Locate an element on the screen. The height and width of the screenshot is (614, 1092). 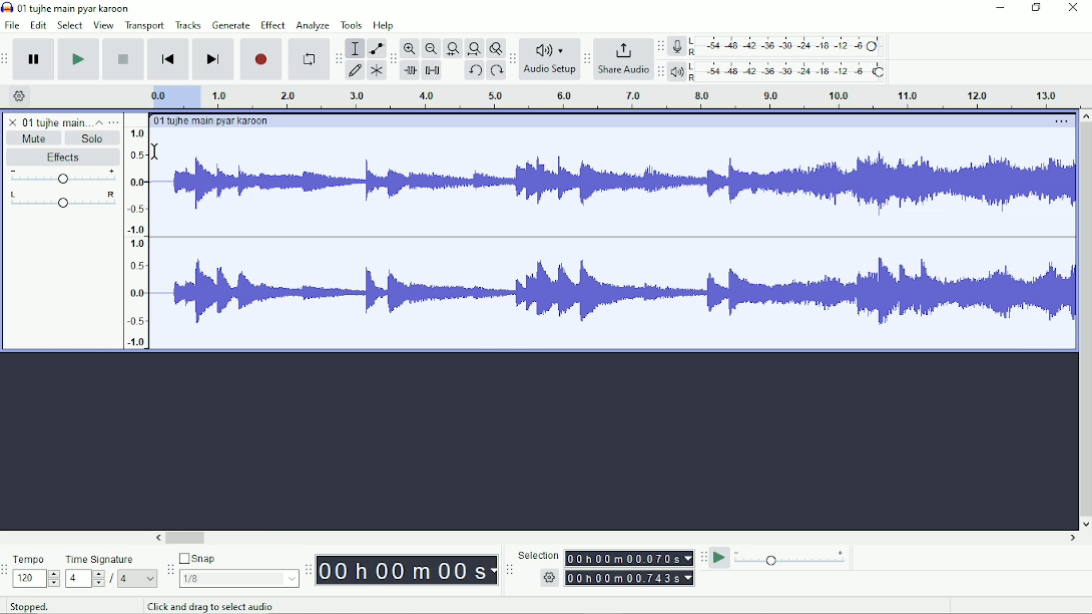
Edit is located at coordinates (39, 25).